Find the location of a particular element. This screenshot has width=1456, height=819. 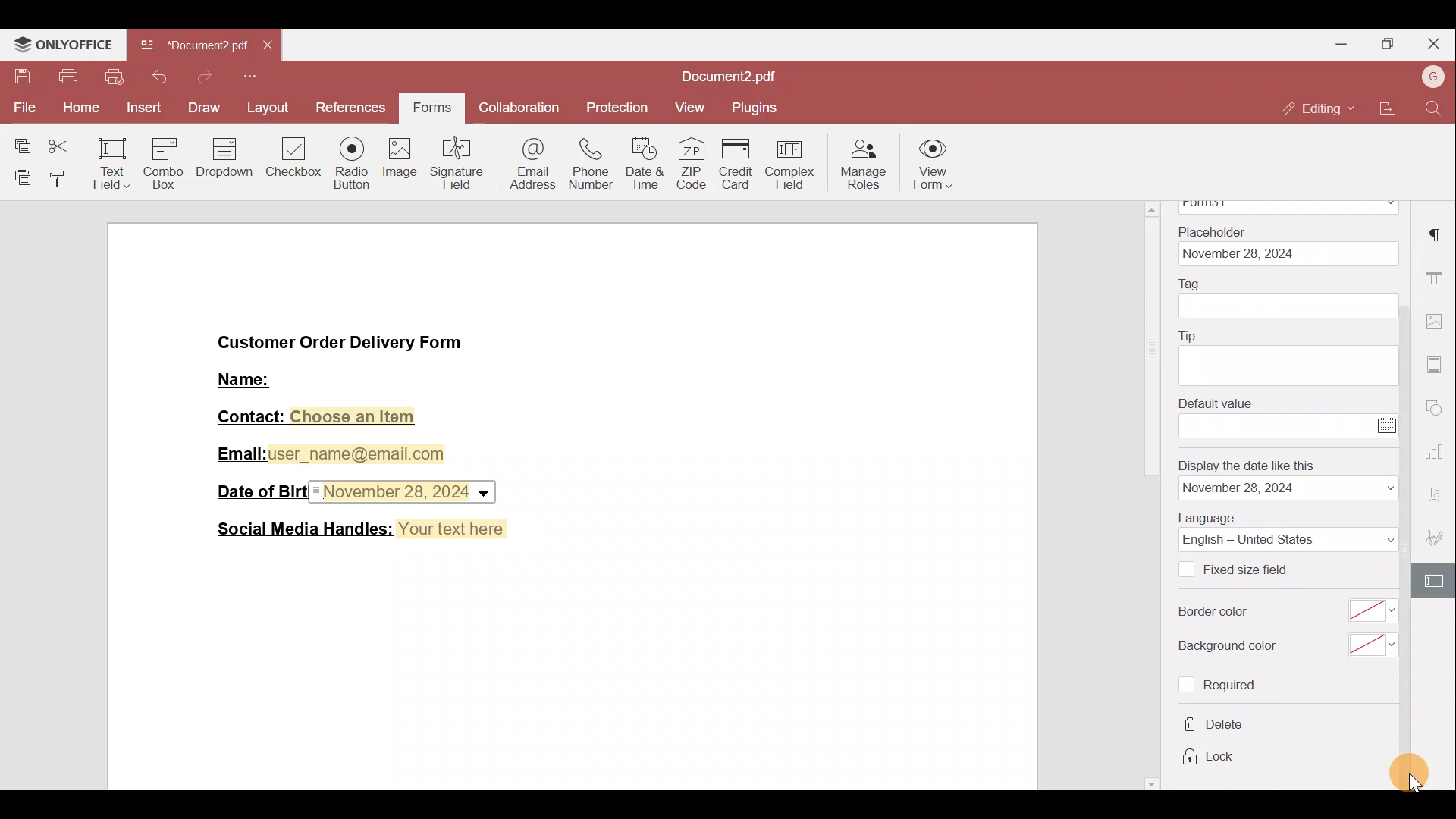

Radio button is located at coordinates (351, 159).